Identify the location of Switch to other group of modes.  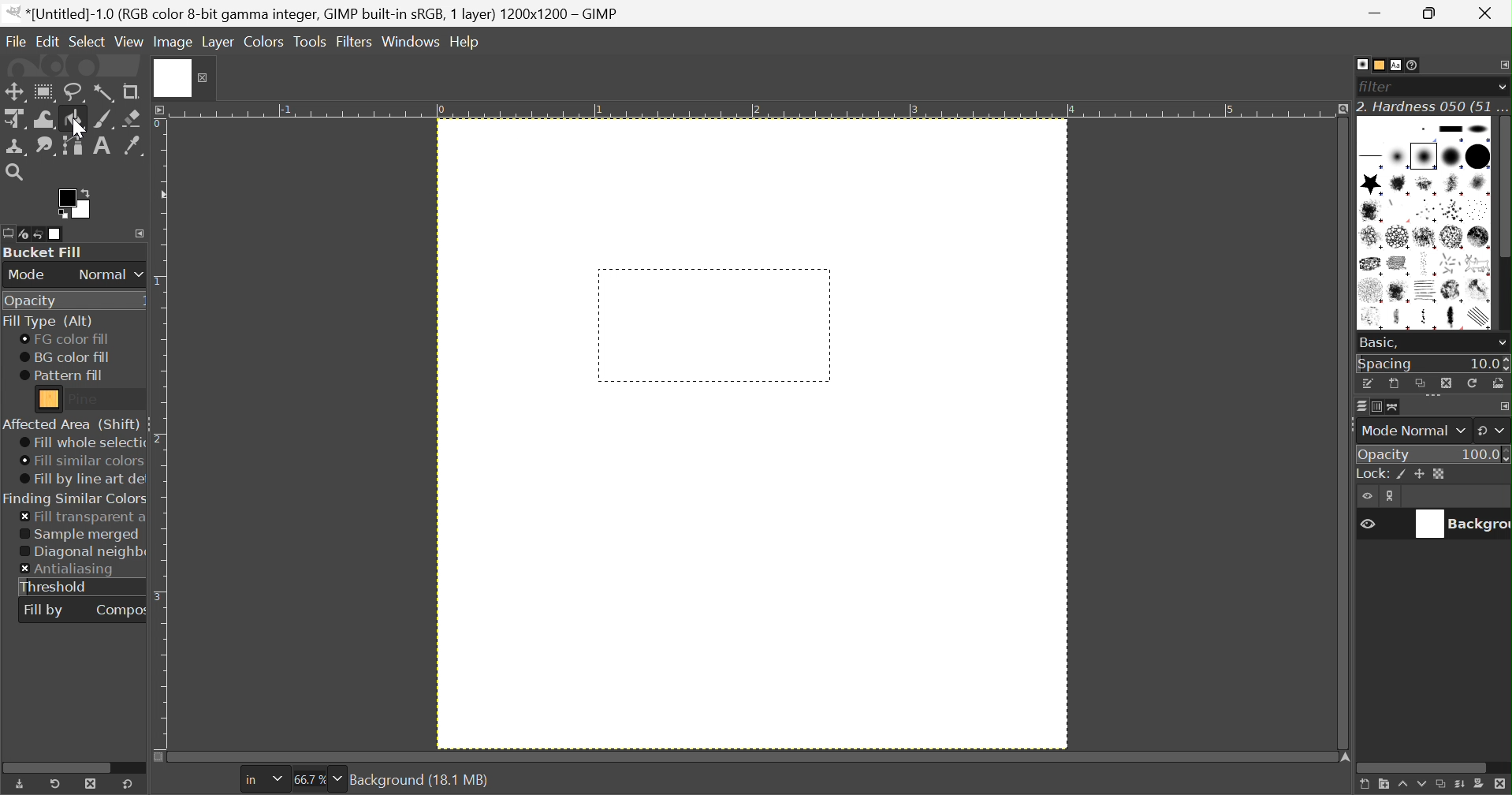
(1493, 431).